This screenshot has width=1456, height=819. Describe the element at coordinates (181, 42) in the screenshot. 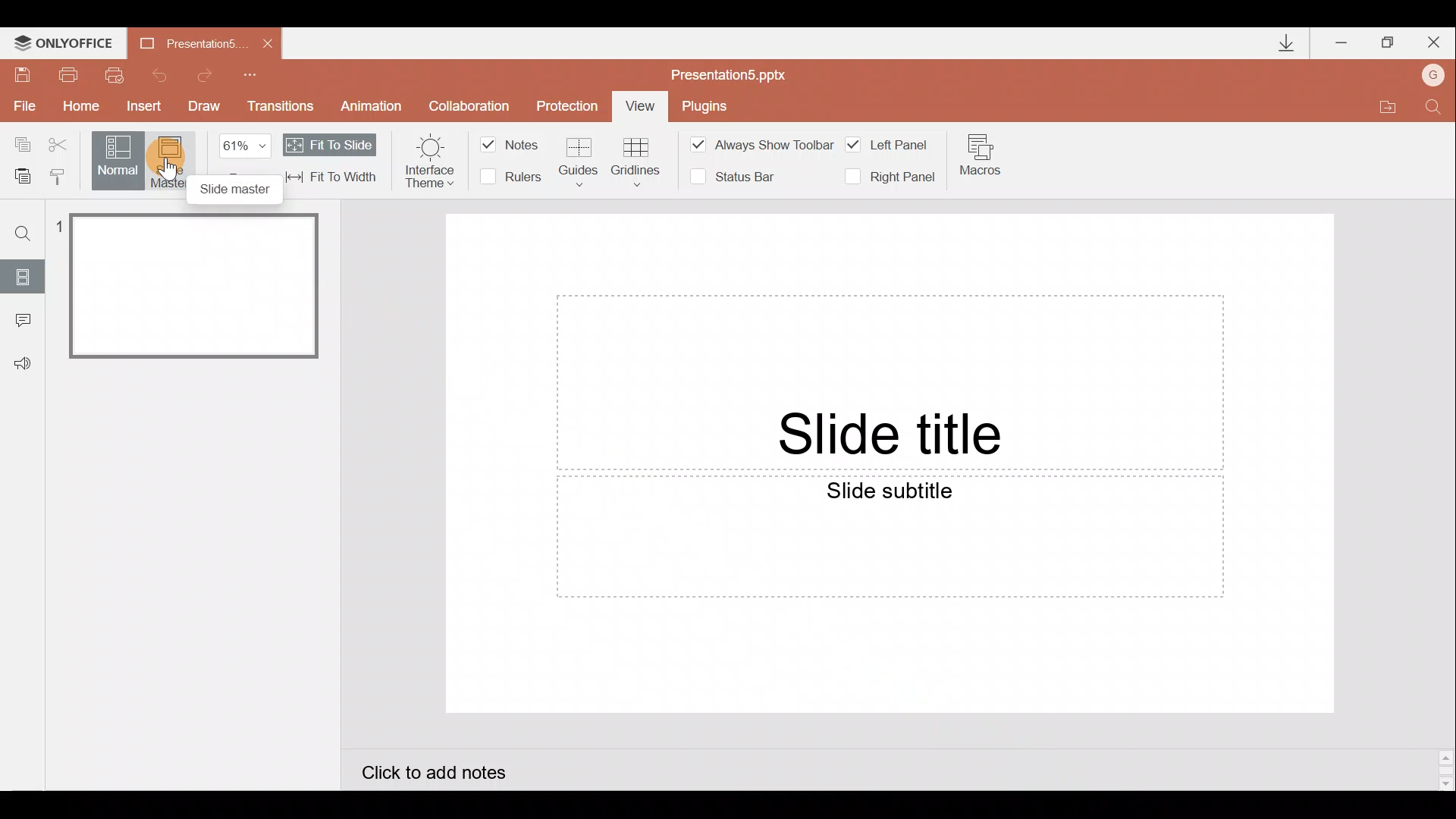

I see `Document name` at that location.